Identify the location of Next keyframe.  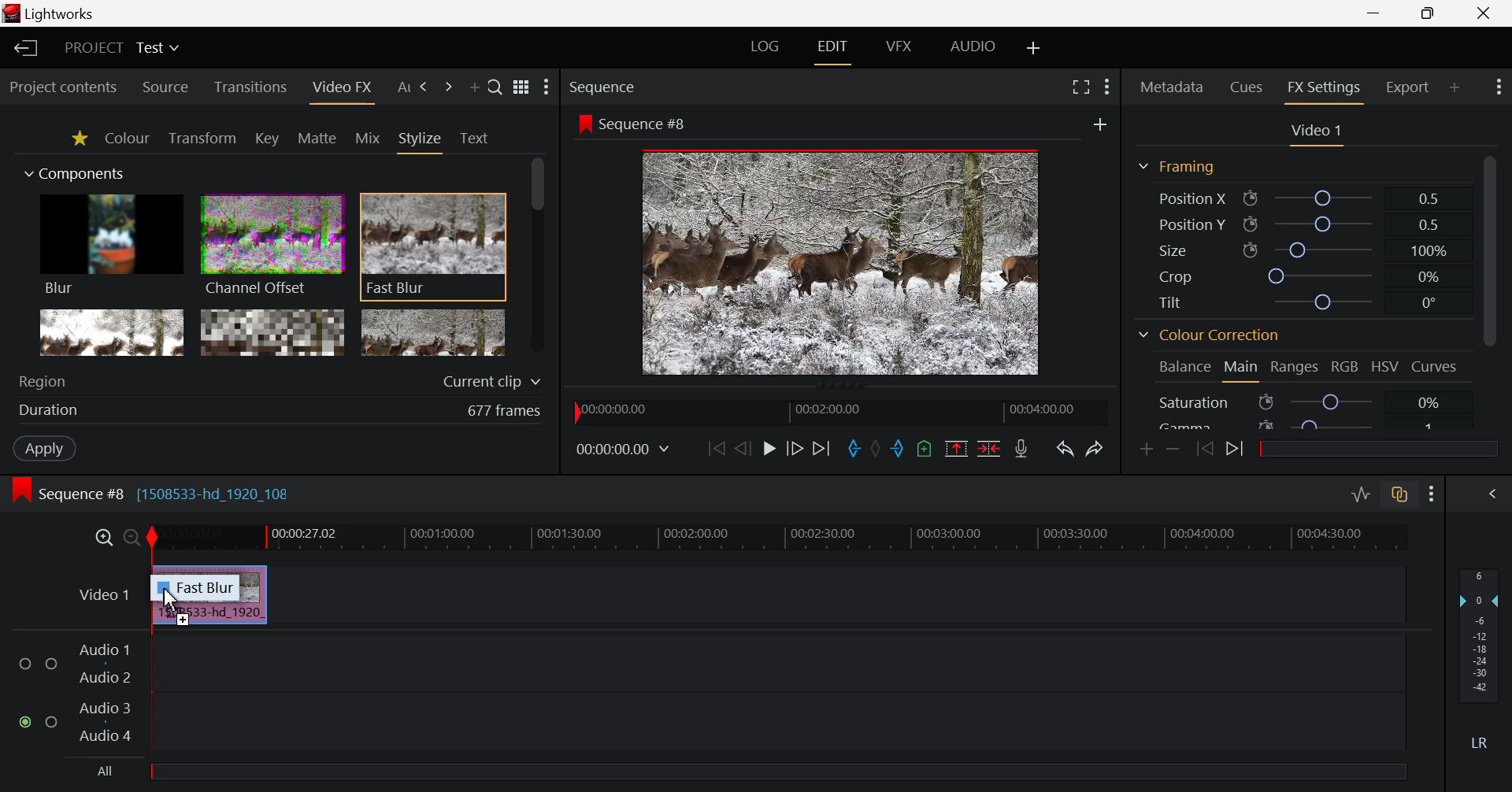
(1238, 450).